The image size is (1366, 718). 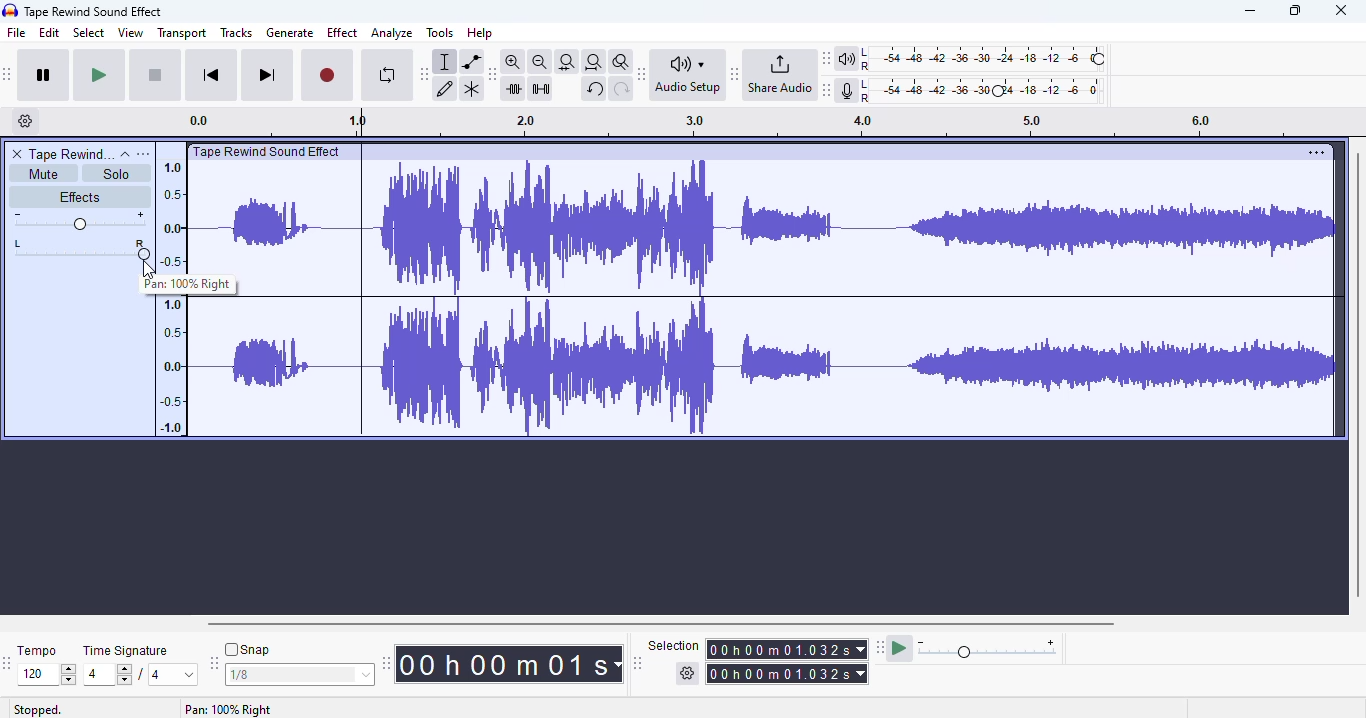 What do you see at coordinates (99, 76) in the screenshot?
I see `play` at bounding box center [99, 76].